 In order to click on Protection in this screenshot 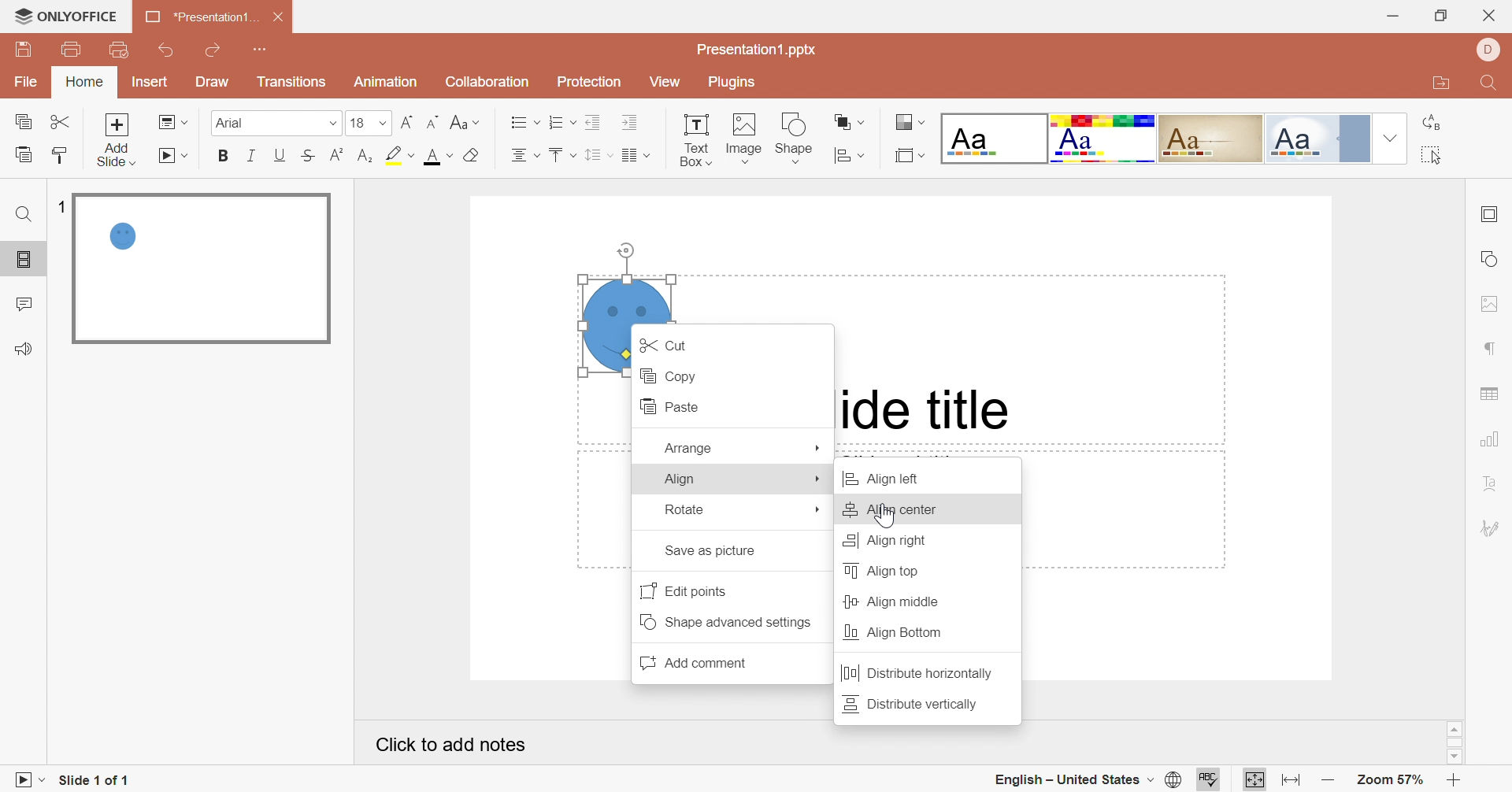, I will do `click(587, 83)`.